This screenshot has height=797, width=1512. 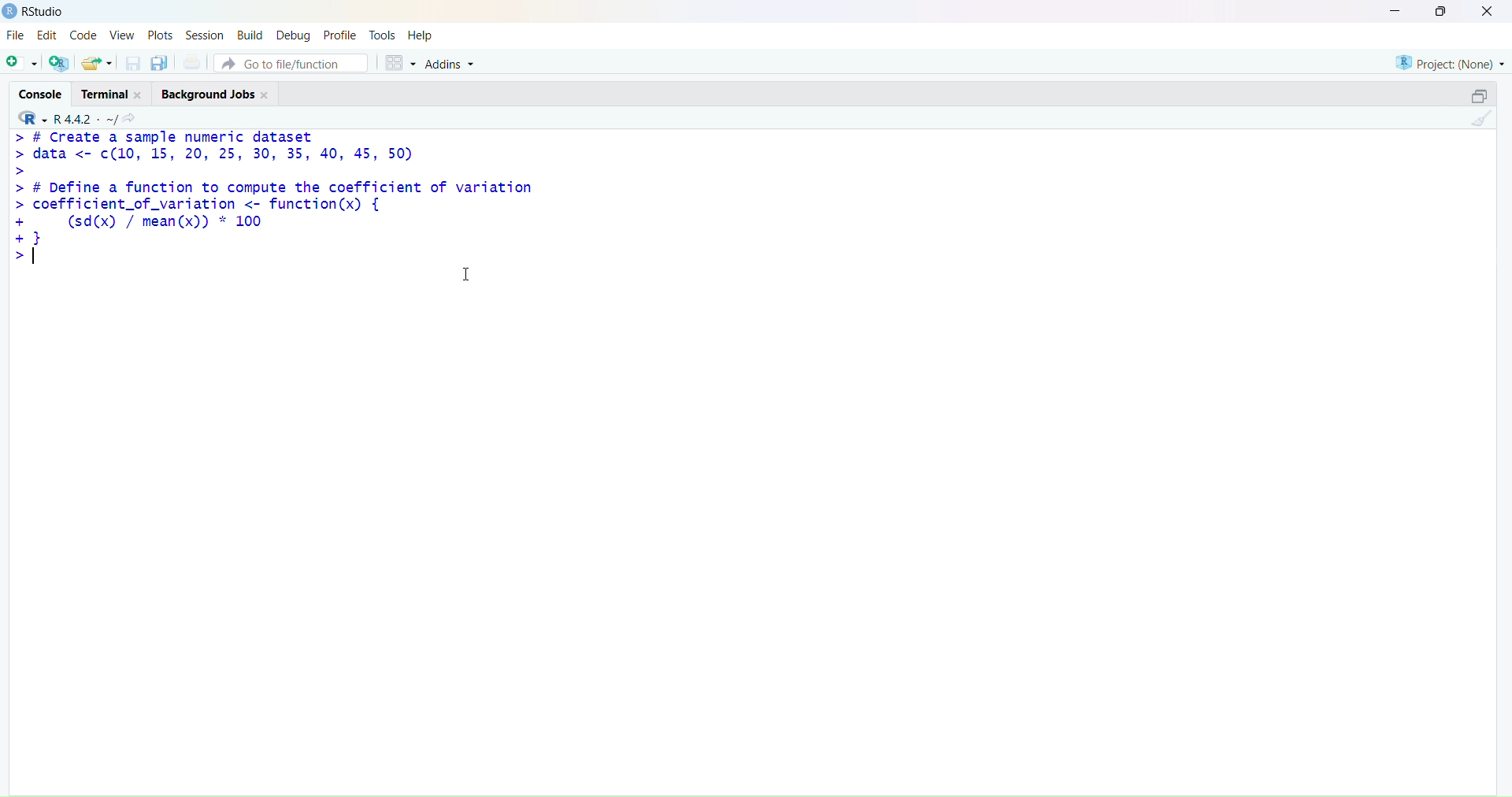 I want to click on print, so click(x=193, y=62).